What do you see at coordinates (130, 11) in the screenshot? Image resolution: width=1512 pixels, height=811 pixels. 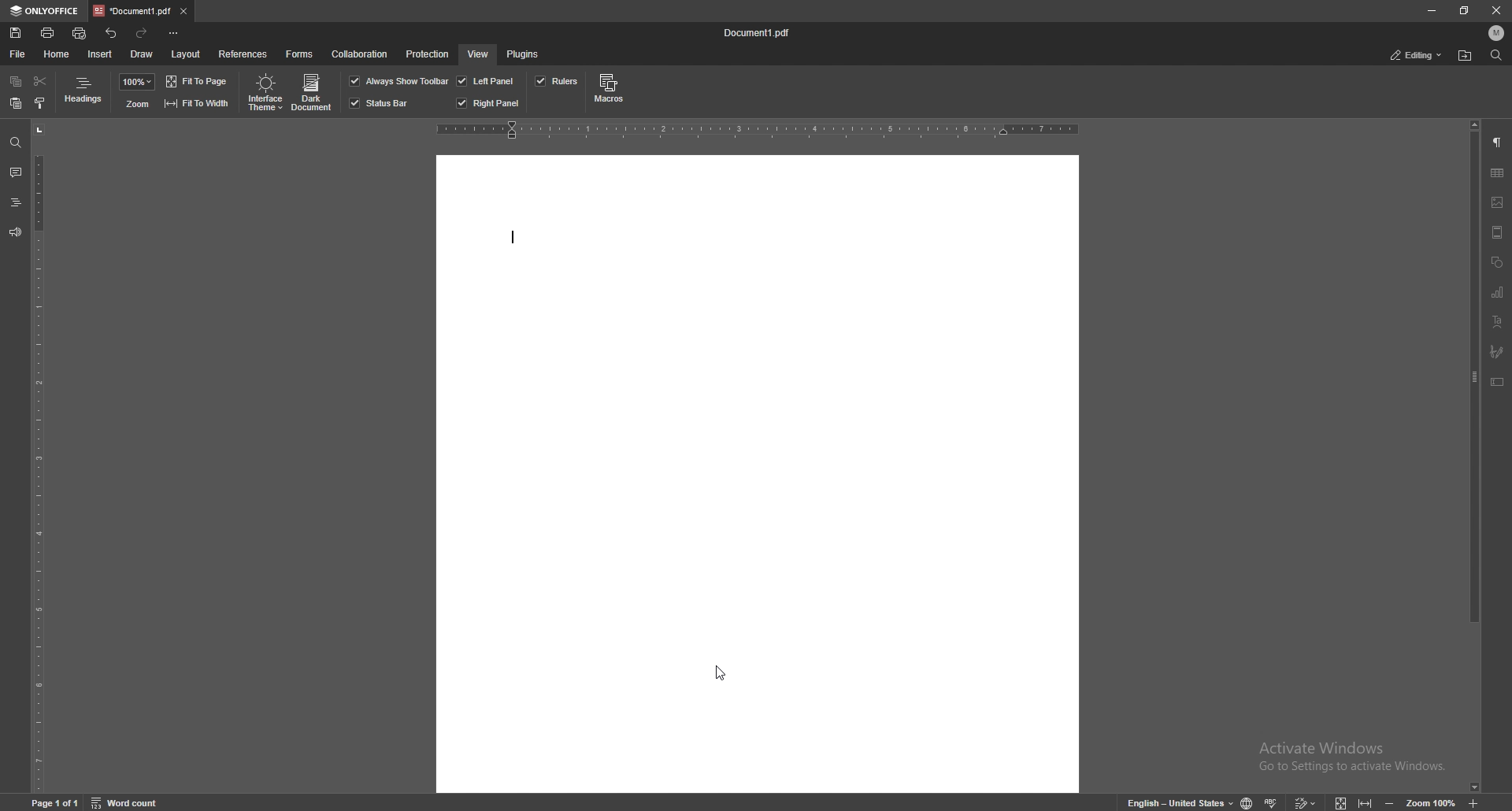 I see `tab` at bounding box center [130, 11].